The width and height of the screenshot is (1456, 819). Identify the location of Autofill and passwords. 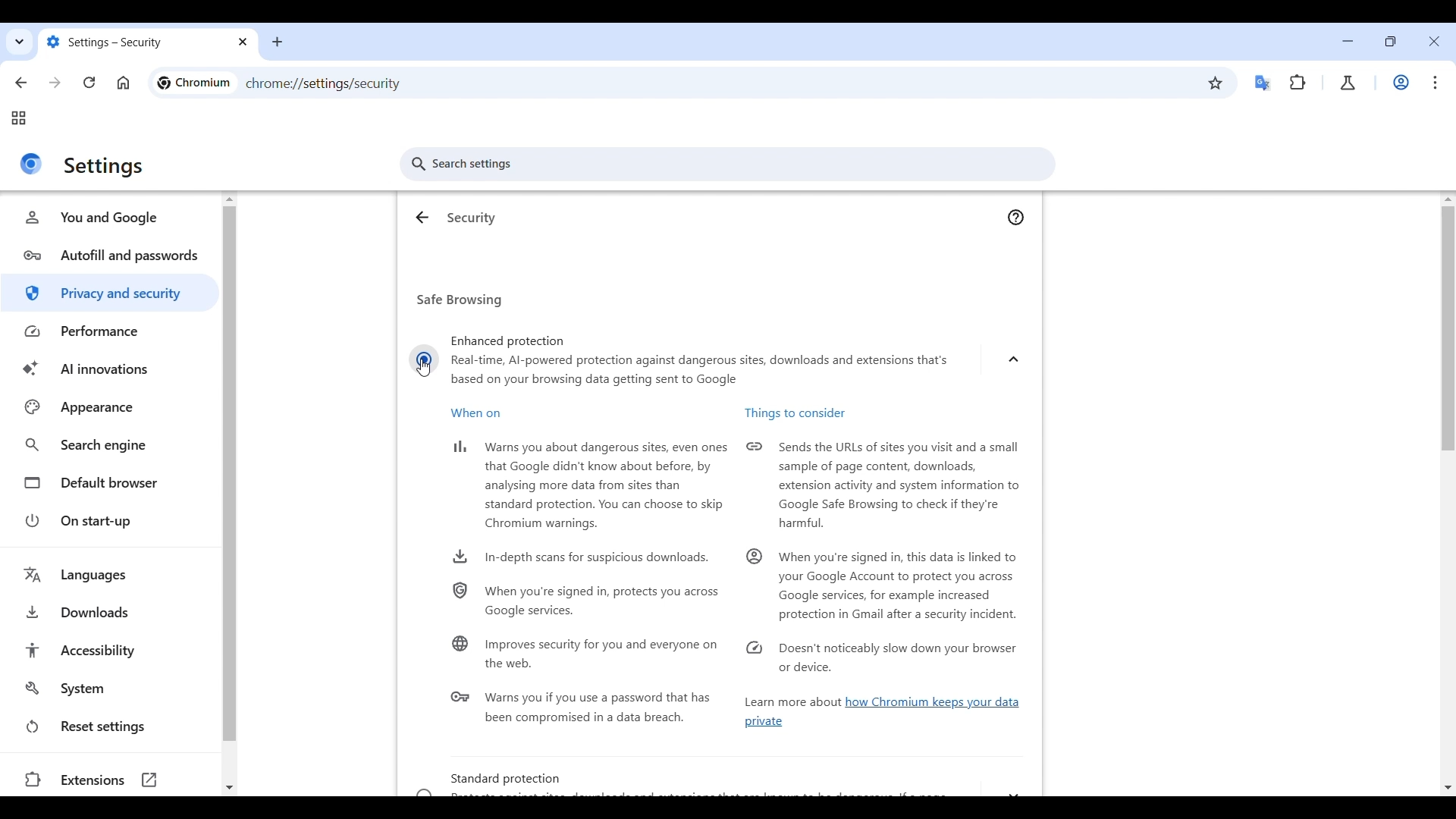
(111, 256).